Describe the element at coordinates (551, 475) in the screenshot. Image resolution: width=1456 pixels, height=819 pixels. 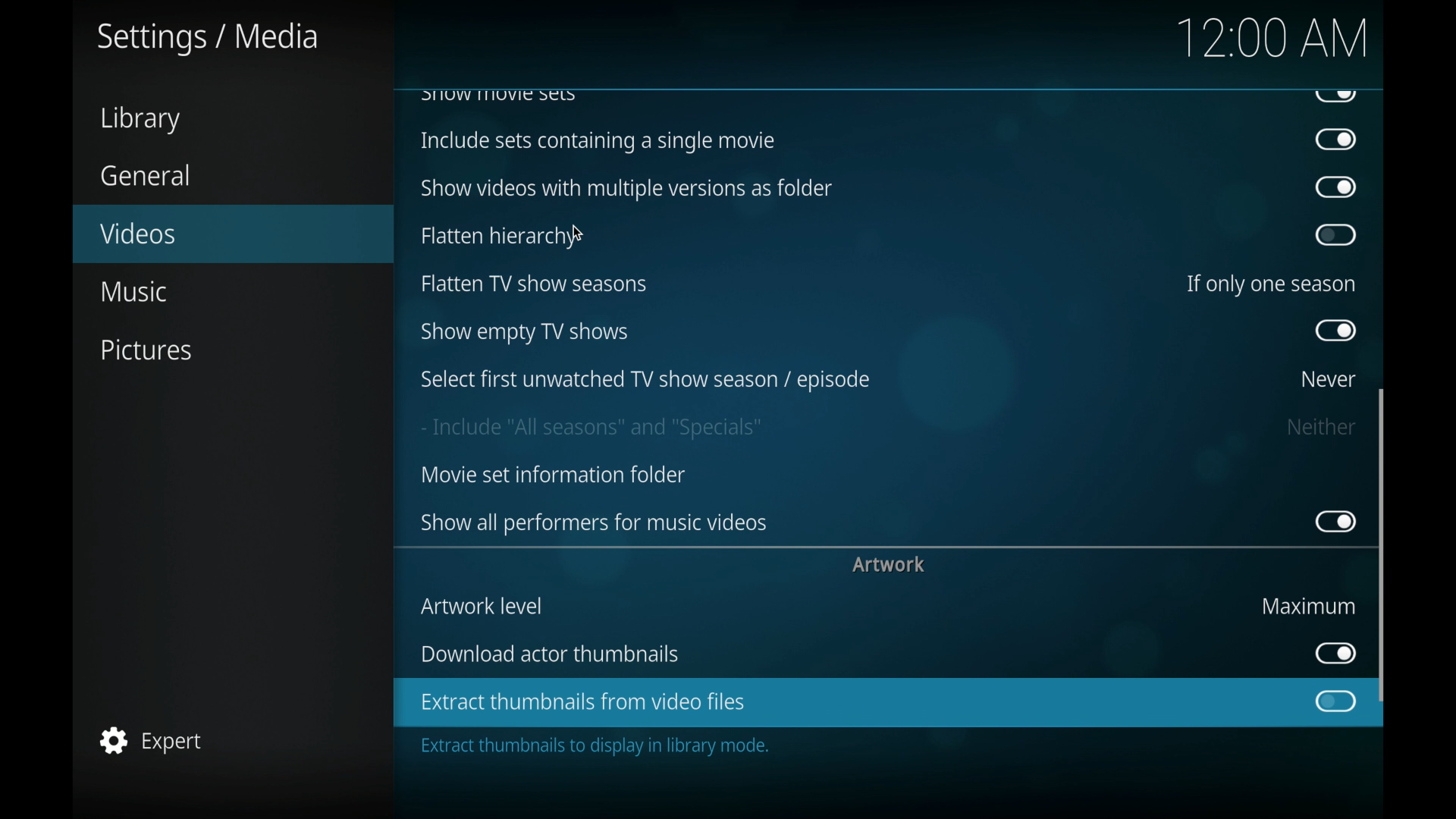
I see `movies information folder` at that location.